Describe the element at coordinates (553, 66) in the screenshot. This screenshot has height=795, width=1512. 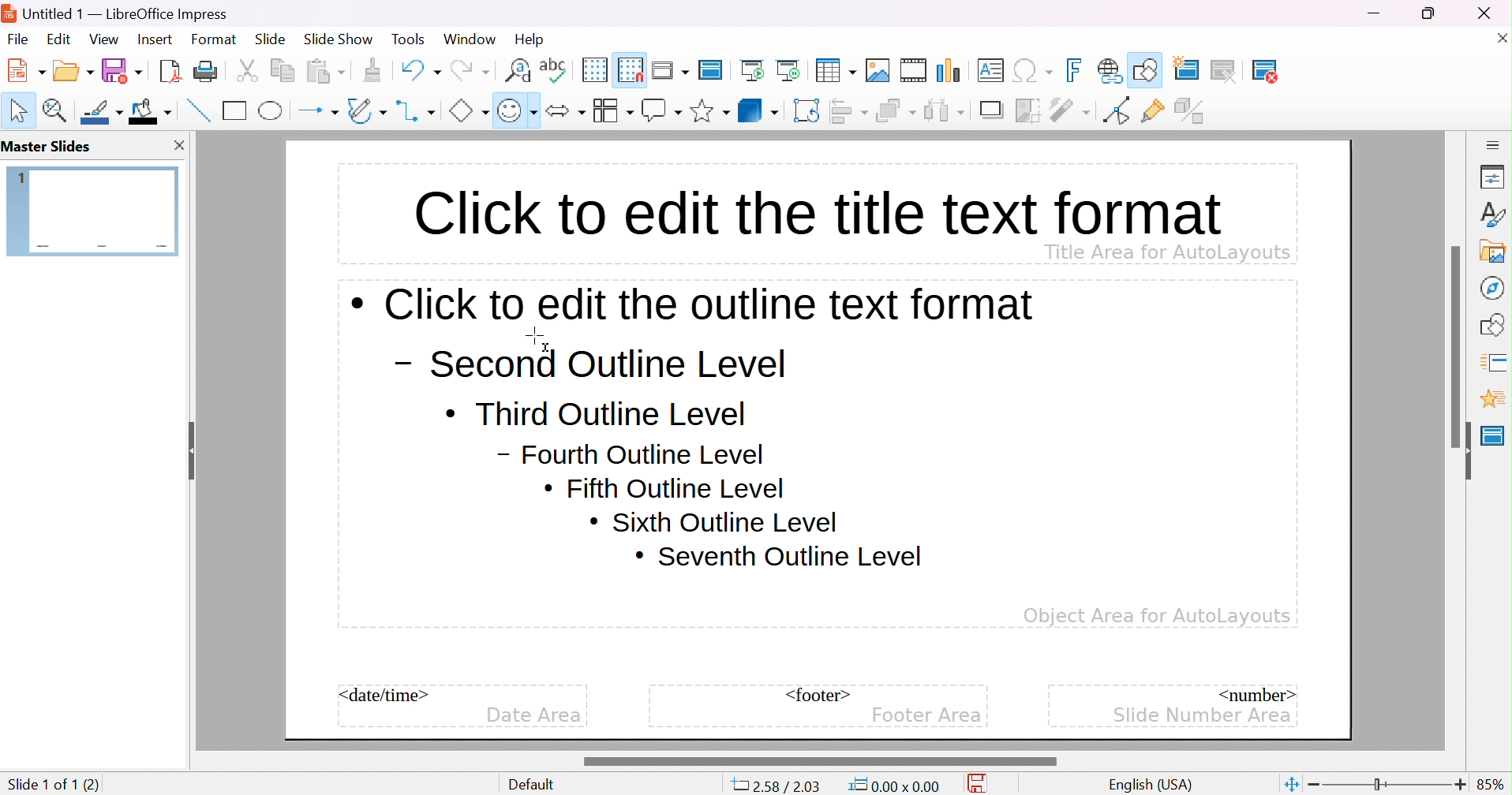
I see `spelling` at that location.